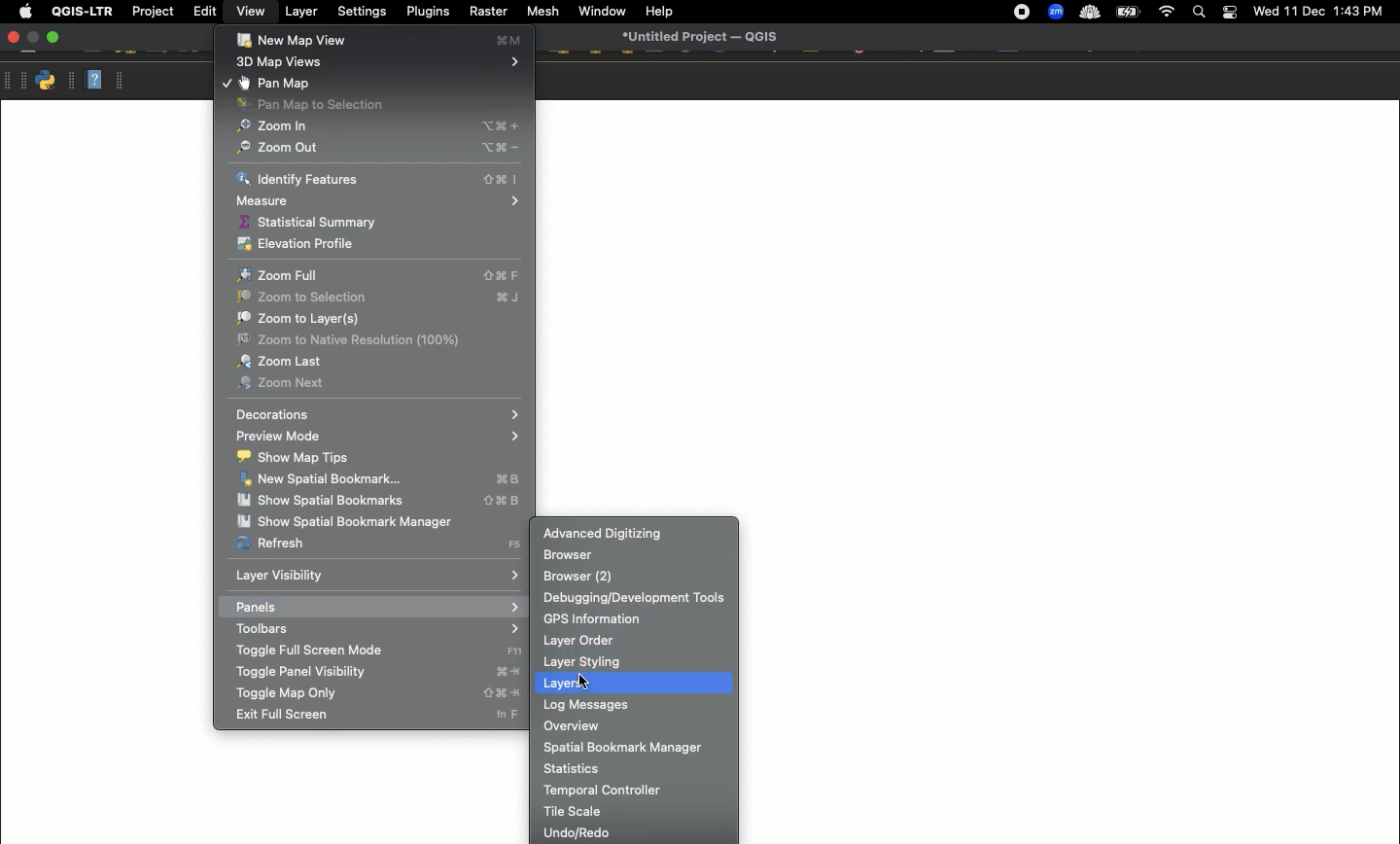 The height and width of the screenshot is (844, 1400). What do you see at coordinates (380, 651) in the screenshot?
I see `Toggle full screen mode` at bounding box center [380, 651].